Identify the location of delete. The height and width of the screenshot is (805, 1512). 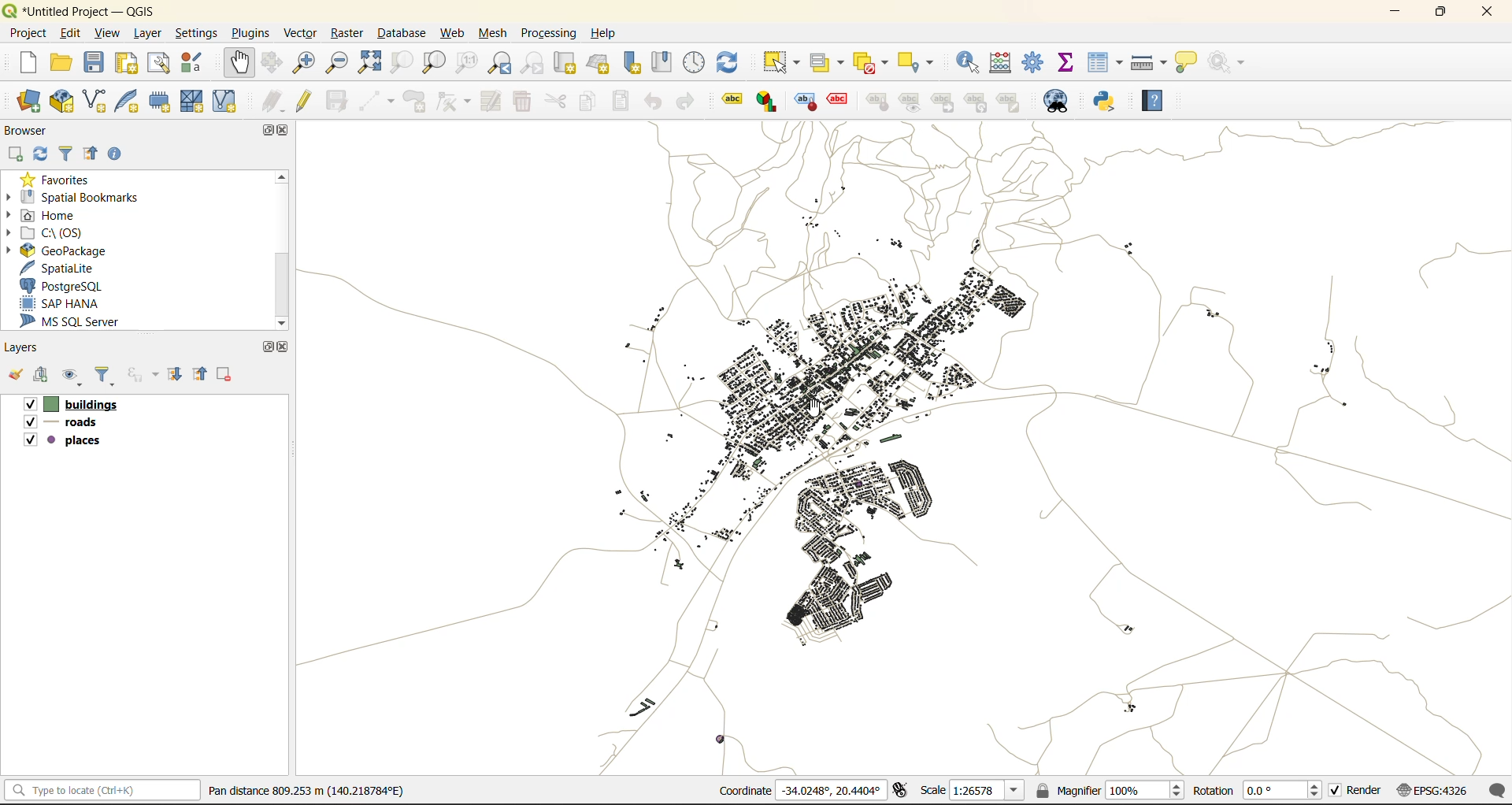
(524, 102).